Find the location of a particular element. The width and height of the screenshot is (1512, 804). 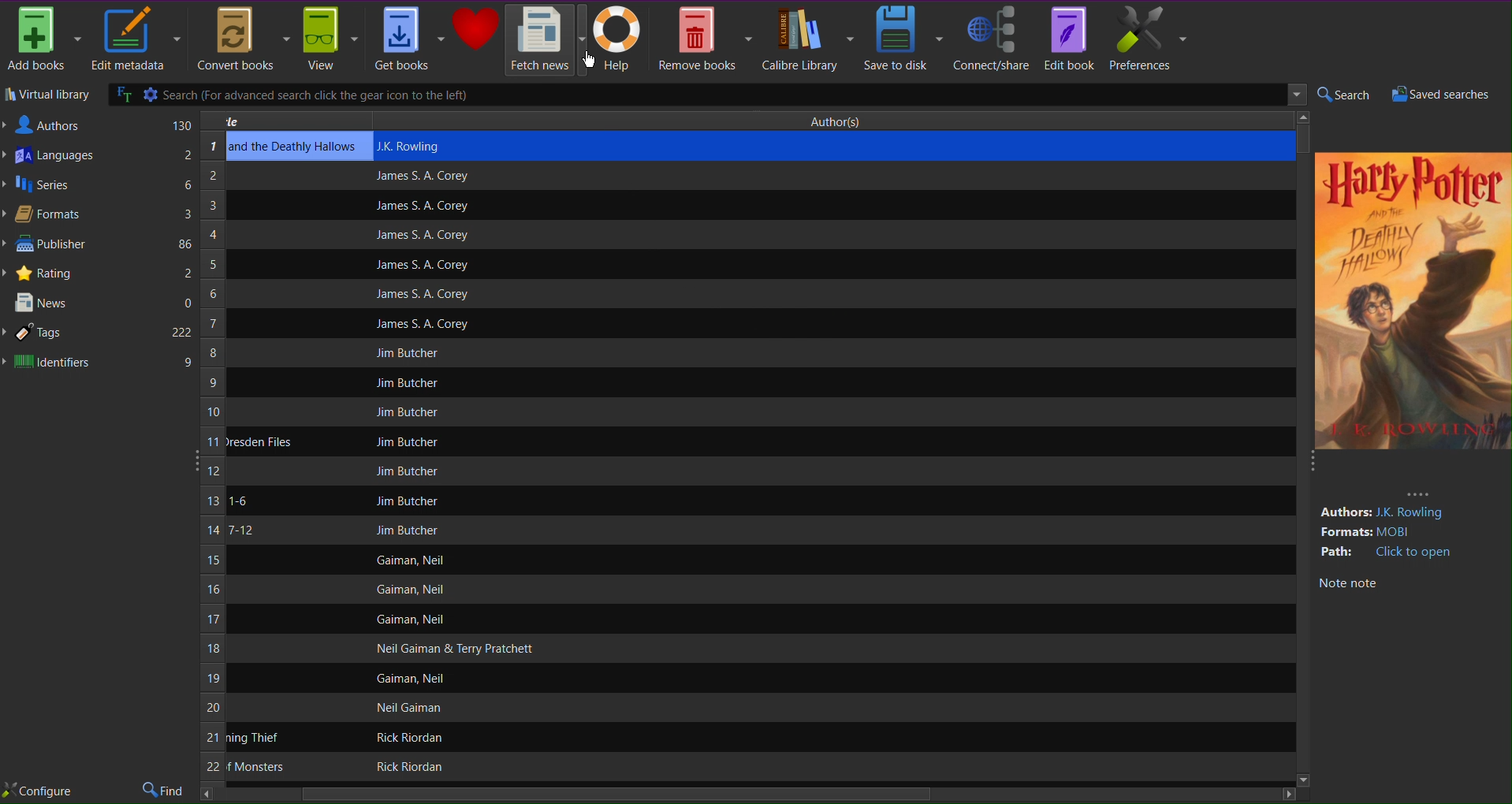

Dresden Files is located at coordinates (260, 441).